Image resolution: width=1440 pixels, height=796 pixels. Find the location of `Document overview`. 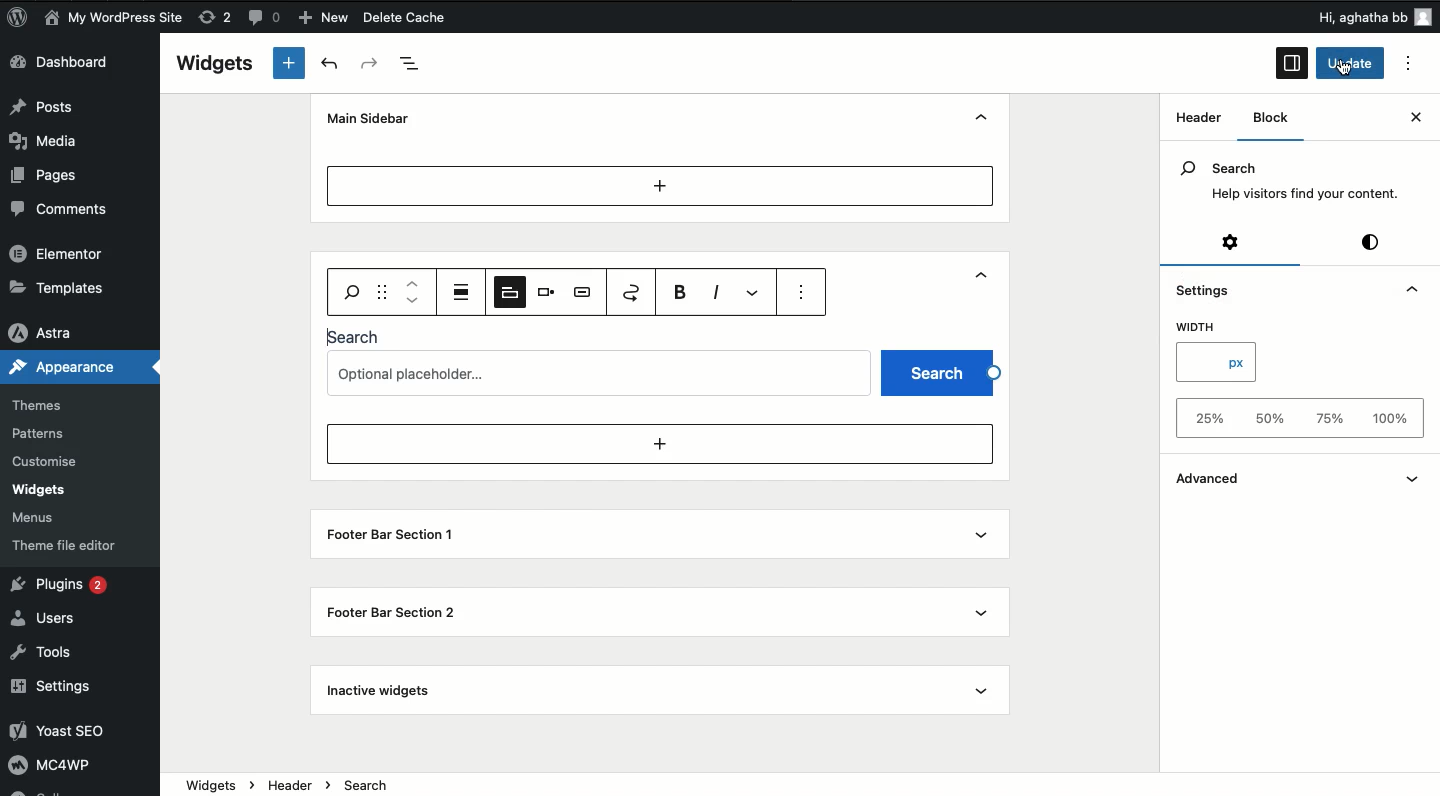

Document overview is located at coordinates (418, 63).